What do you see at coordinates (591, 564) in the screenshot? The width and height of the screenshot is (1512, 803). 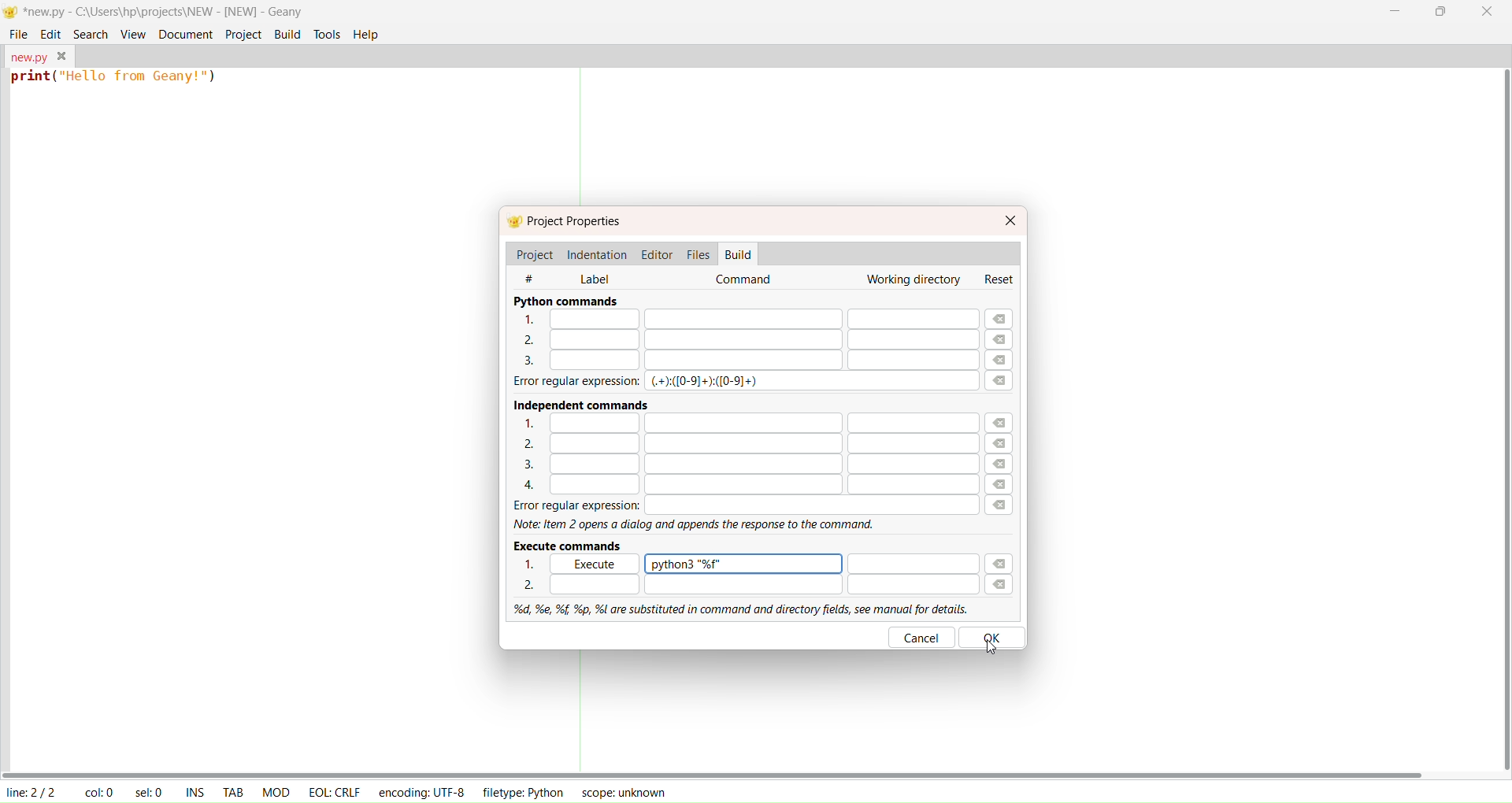 I see `execute` at bounding box center [591, 564].